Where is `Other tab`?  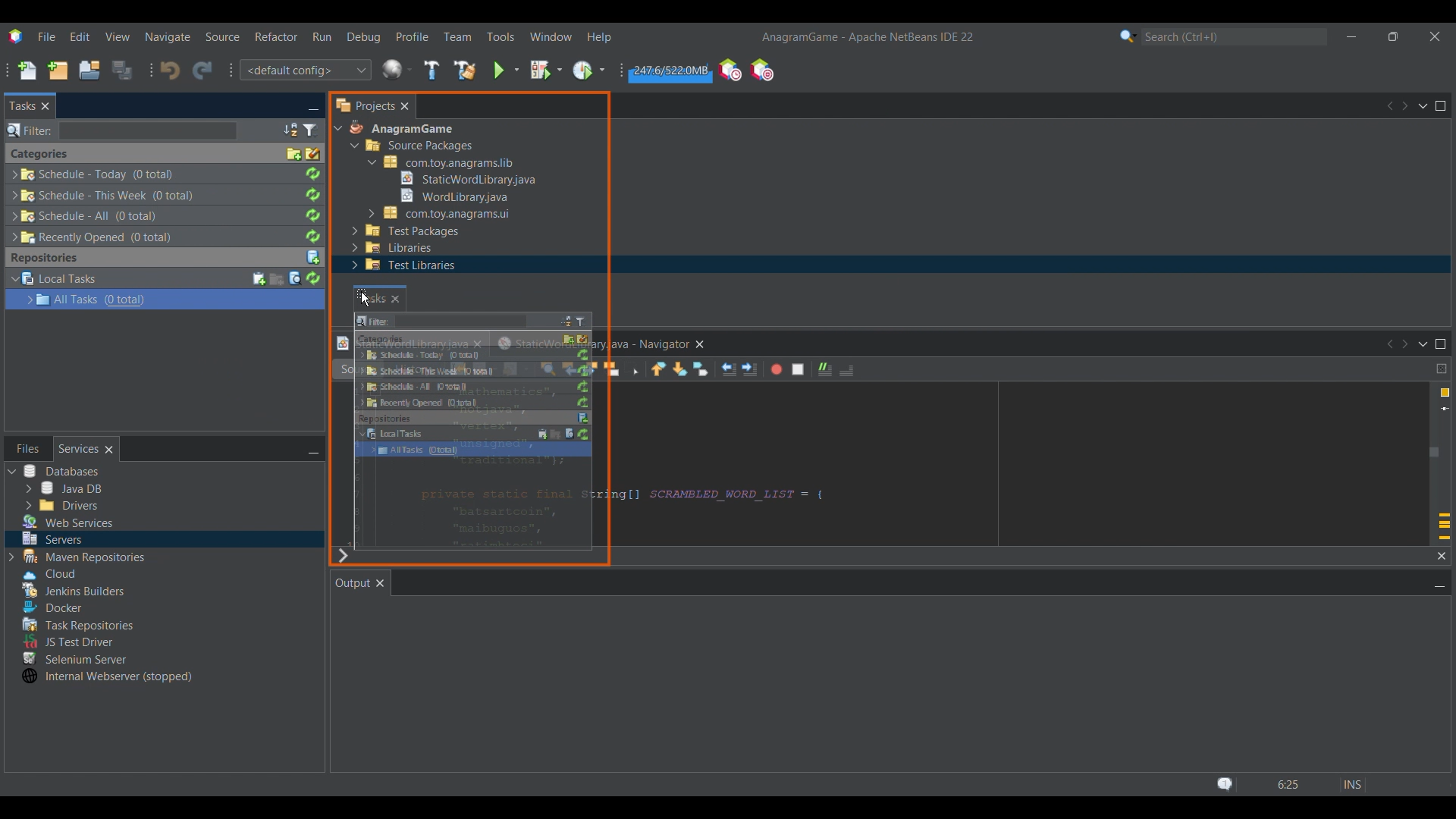
Other tab is located at coordinates (28, 448).